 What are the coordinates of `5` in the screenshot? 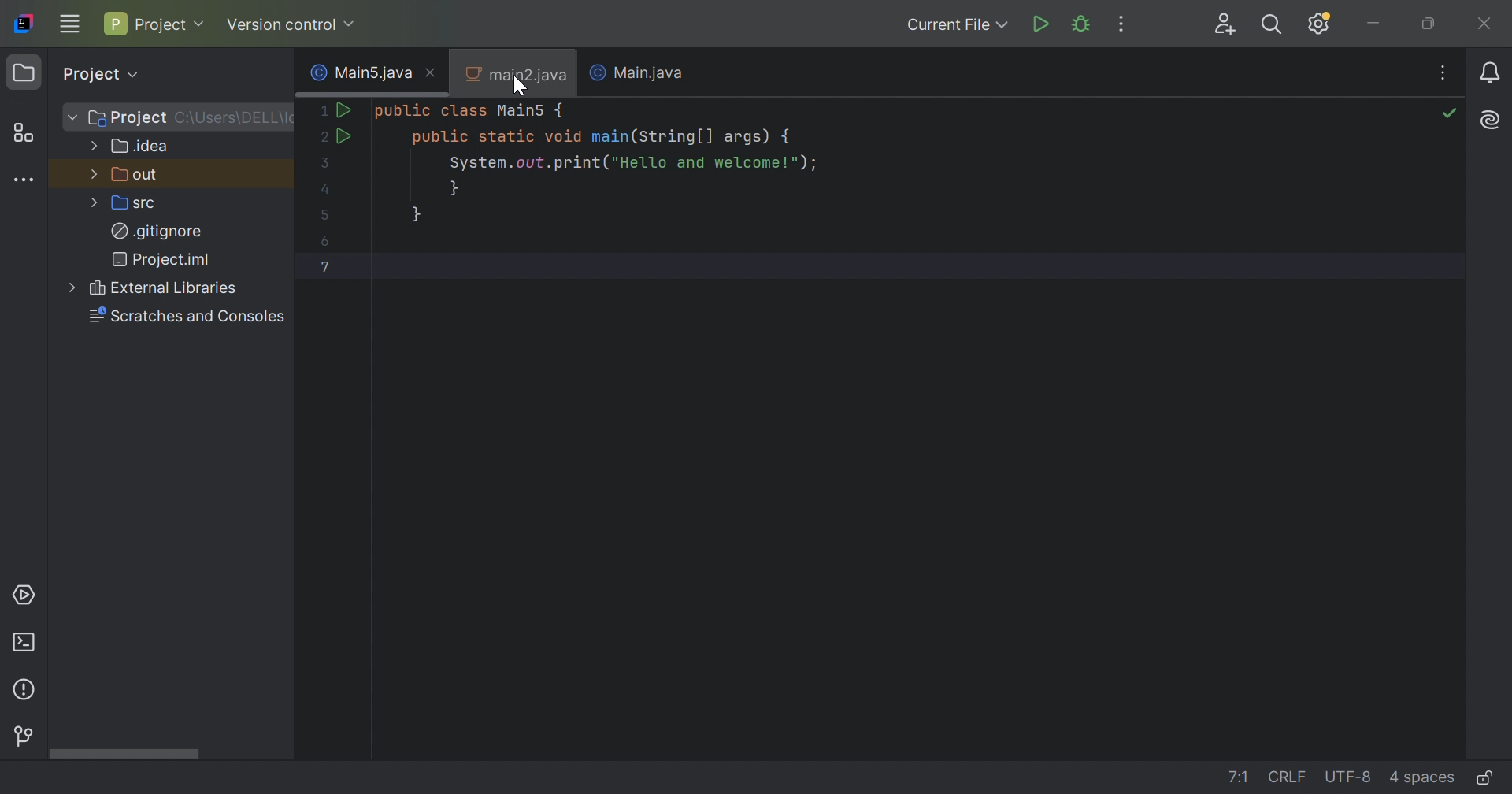 It's located at (321, 213).